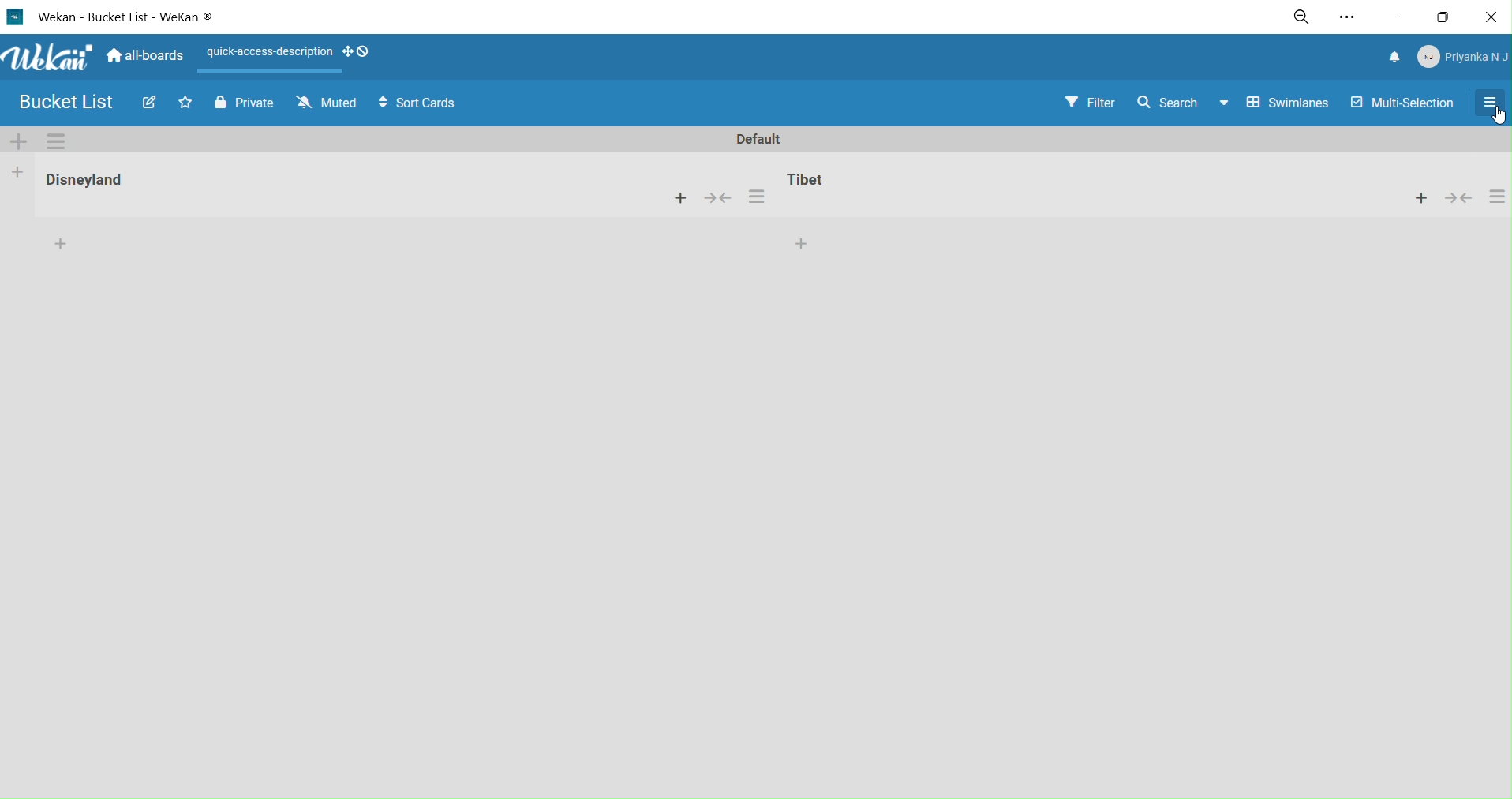 Image resolution: width=1512 pixels, height=799 pixels. I want to click on muted, so click(324, 100).